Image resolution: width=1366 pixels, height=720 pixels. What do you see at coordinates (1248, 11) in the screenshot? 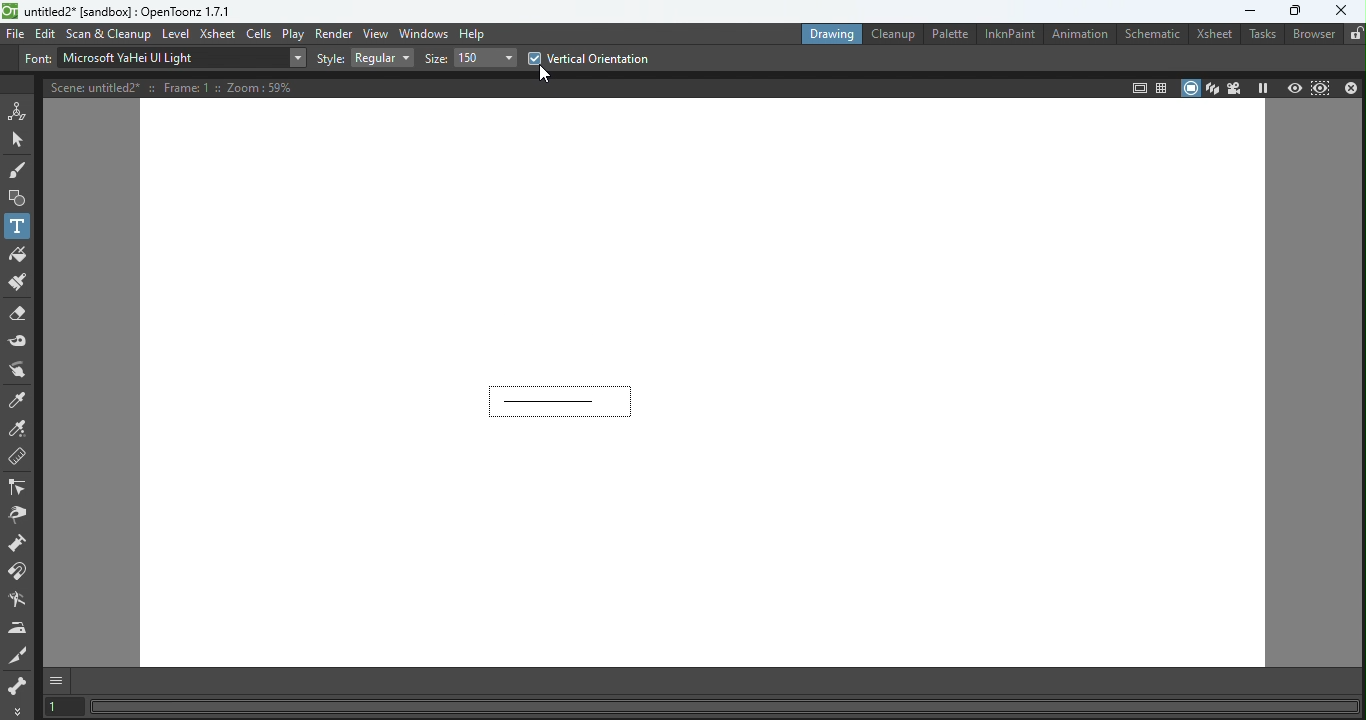
I see `Minimize` at bounding box center [1248, 11].